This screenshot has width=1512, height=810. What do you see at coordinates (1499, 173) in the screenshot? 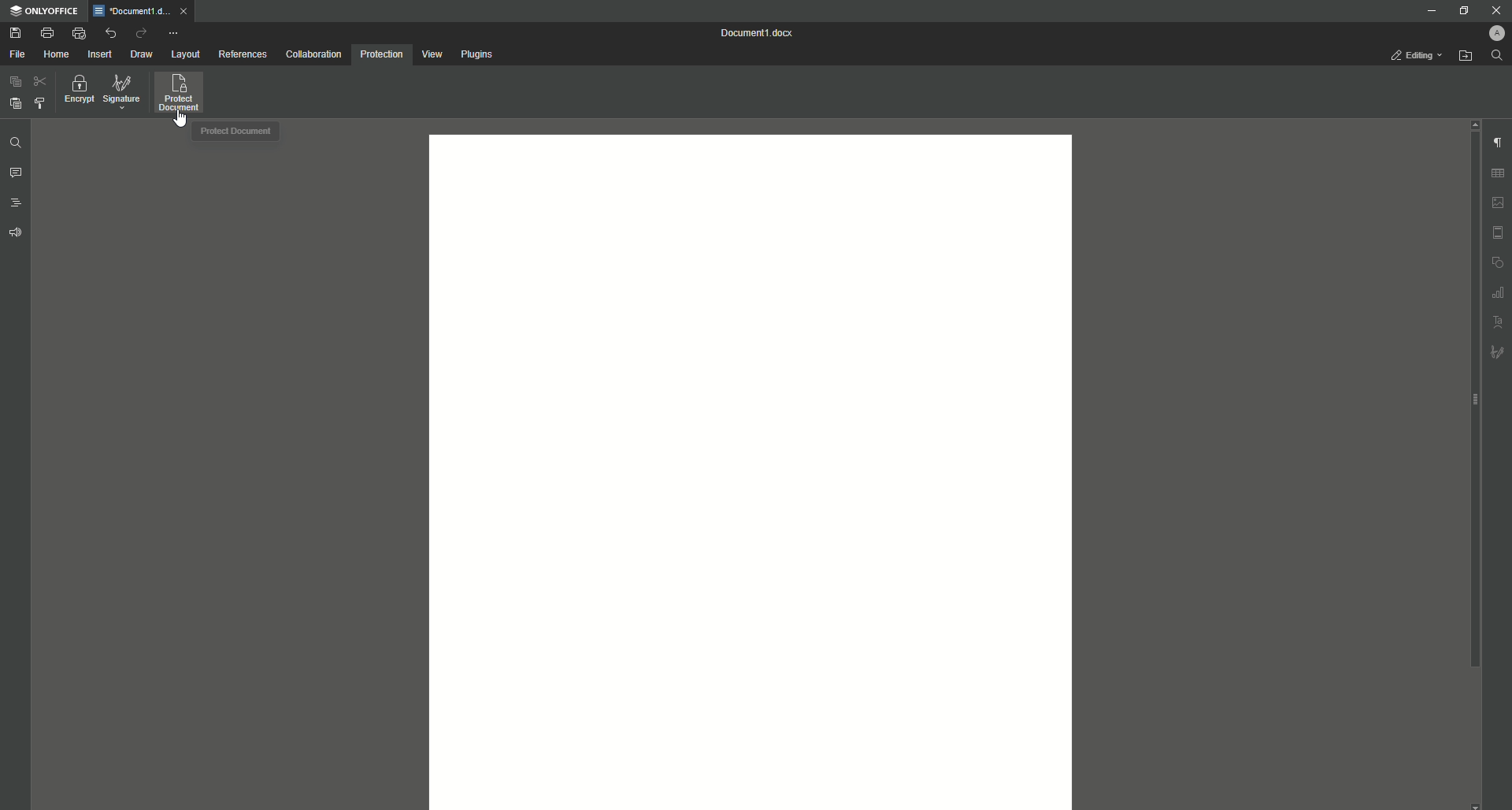
I see `Table Settings` at bounding box center [1499, 173].